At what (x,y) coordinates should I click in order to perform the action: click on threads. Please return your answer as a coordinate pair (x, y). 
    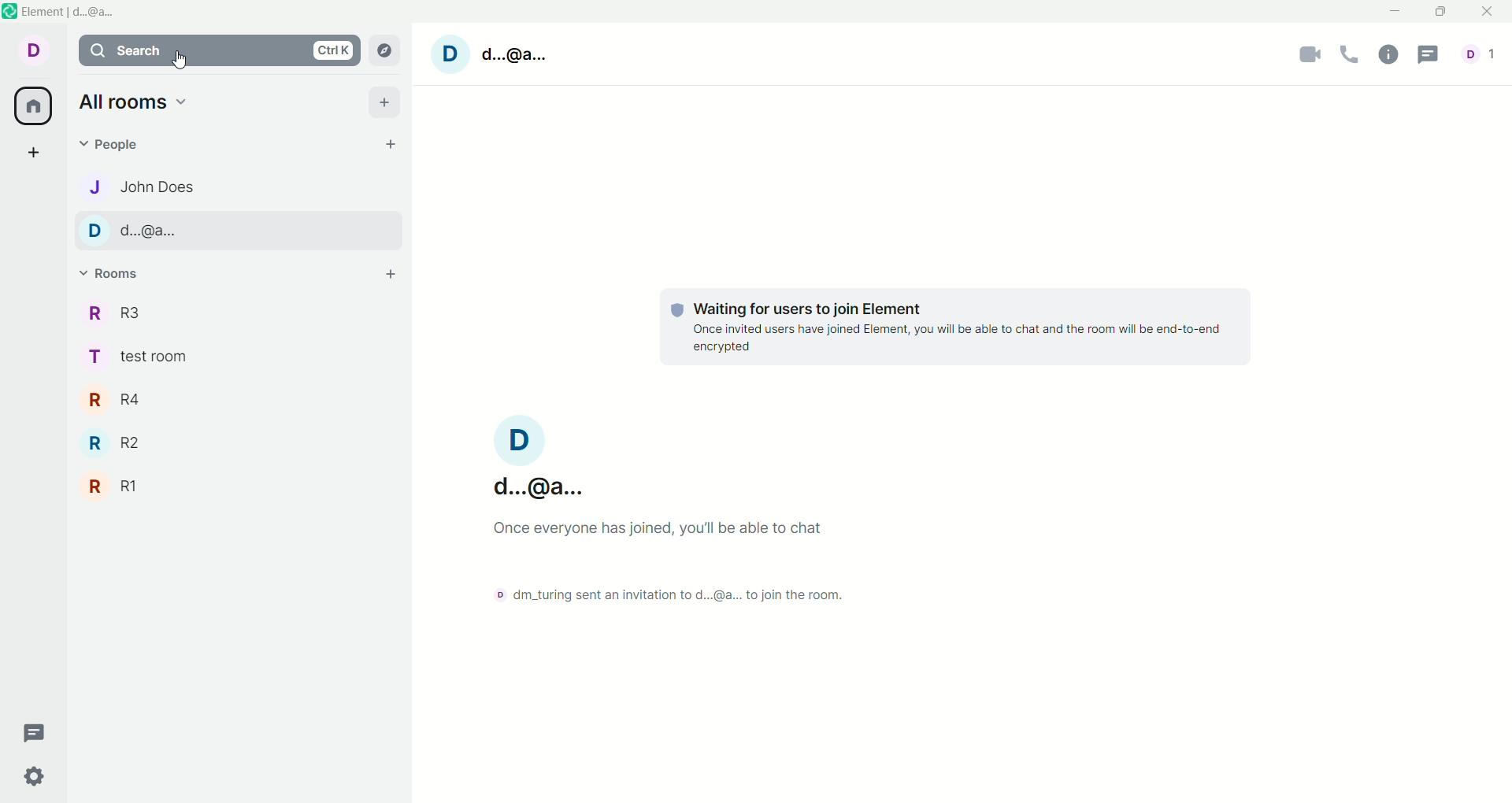
    Looking at the image, I should click on (36, 734).